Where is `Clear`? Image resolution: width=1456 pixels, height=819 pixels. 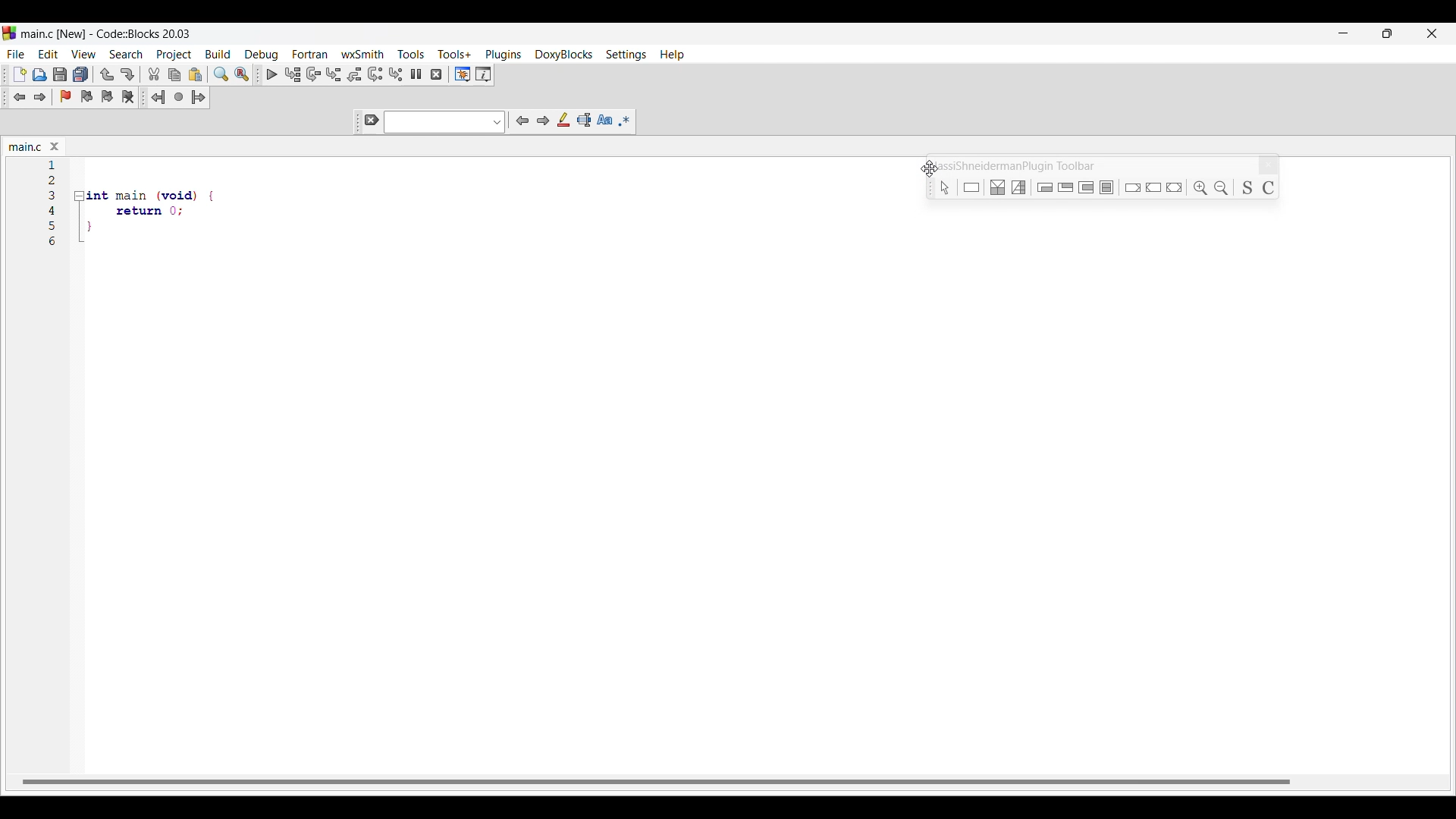
Clear is located at coordinates (372, 120).